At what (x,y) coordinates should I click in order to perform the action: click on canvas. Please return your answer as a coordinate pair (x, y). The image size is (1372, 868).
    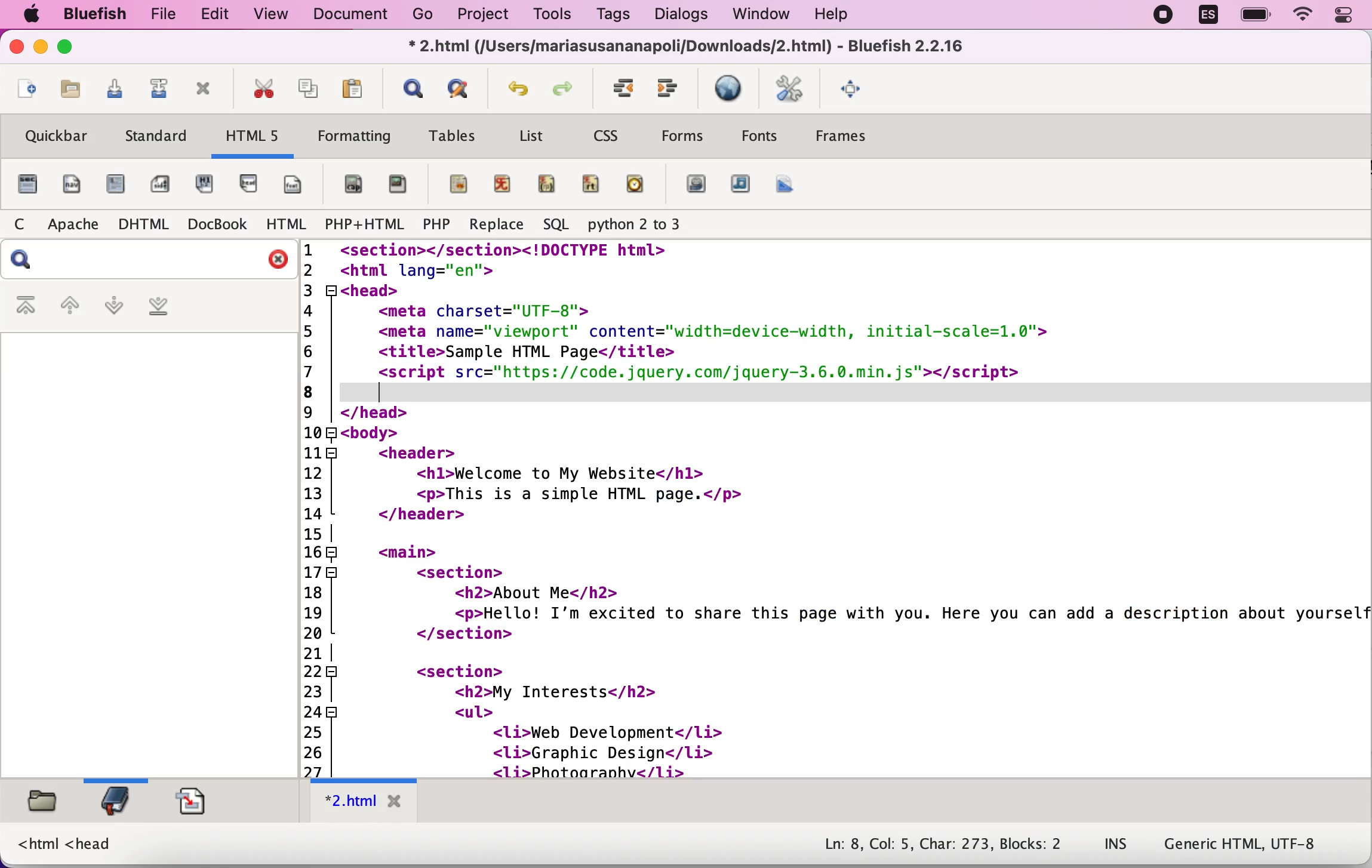
    Looking at the image, I should click on (787, 184).